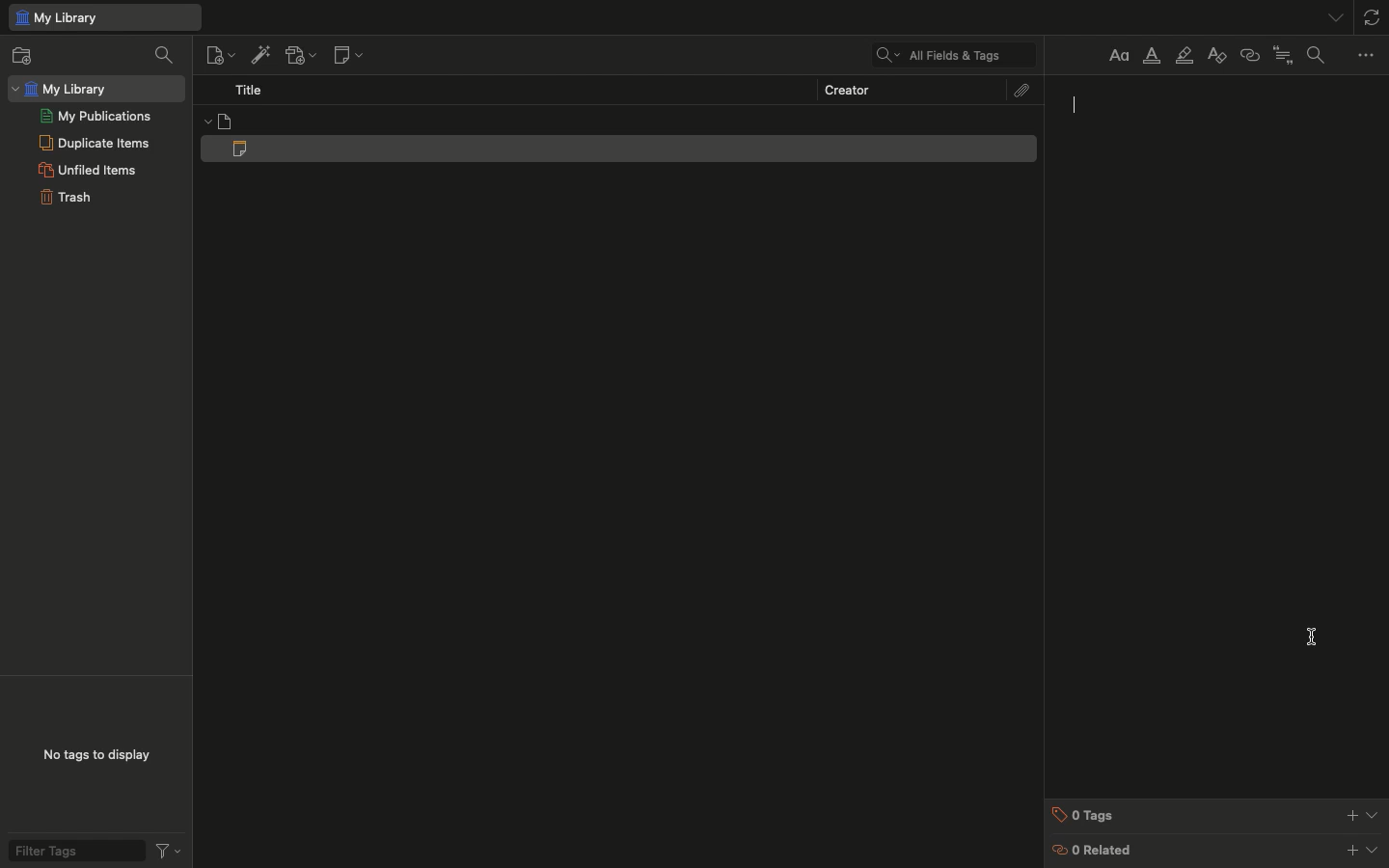 This screenshot has width=1389, height=868. What do you see at coordinates (1249, 56) in the screenshot?
I see `Insert link` at bounding box center [1249, 56].